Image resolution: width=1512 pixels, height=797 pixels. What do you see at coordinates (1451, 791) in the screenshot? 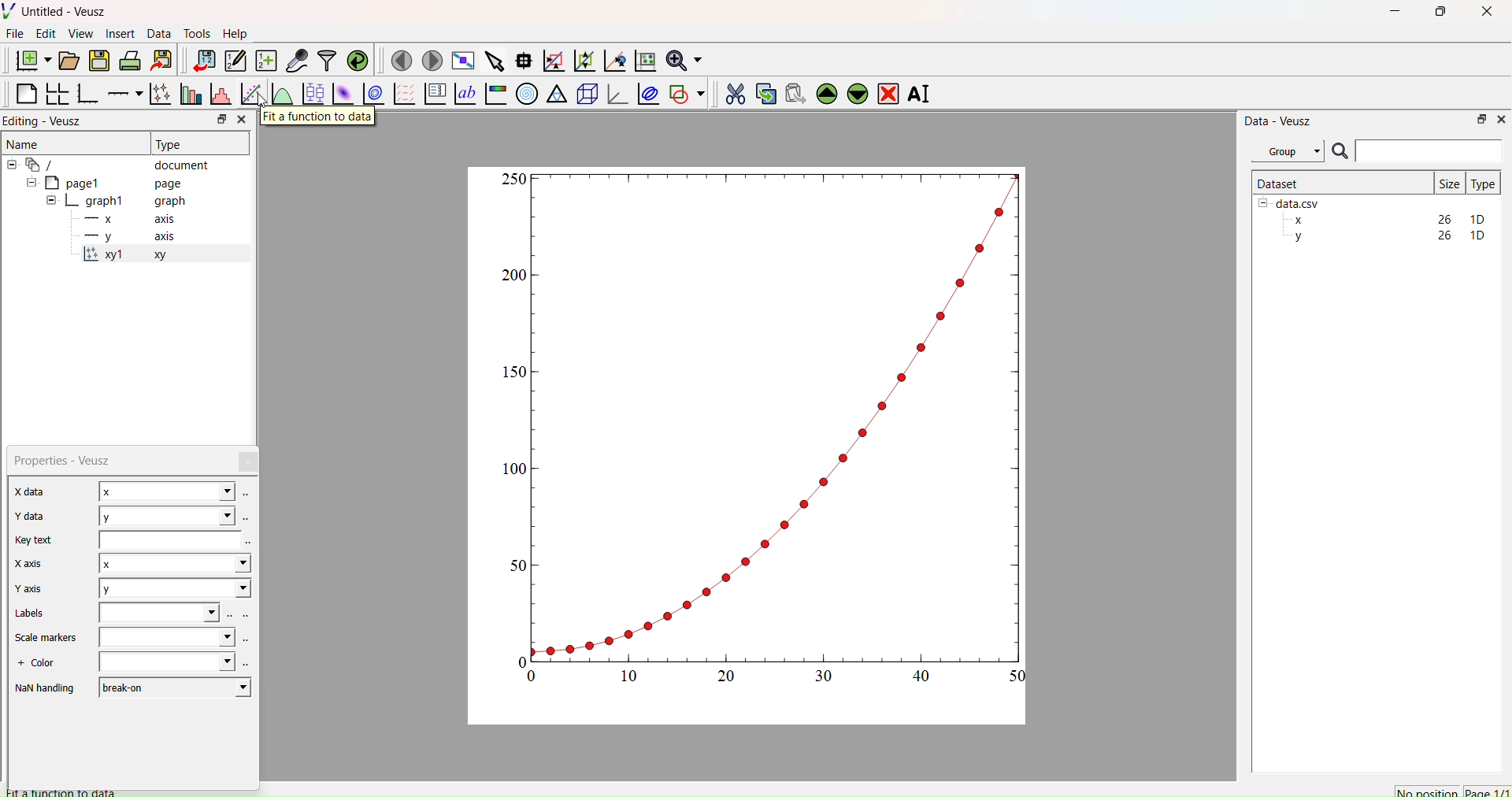
I see `No position Page 1/1` at bounding box center [1451, 791].